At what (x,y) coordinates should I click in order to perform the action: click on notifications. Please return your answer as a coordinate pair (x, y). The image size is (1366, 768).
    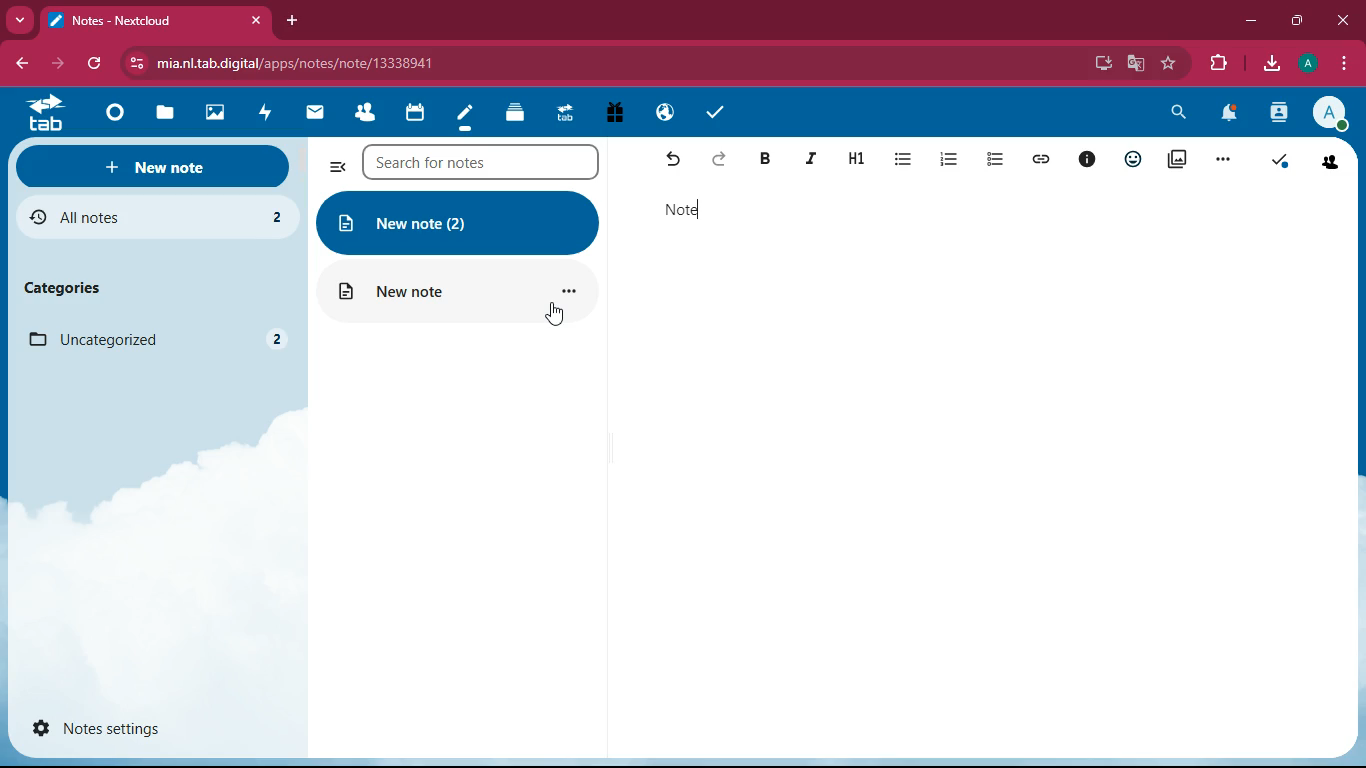
    Looking at the image, I should click on (1228, 115).